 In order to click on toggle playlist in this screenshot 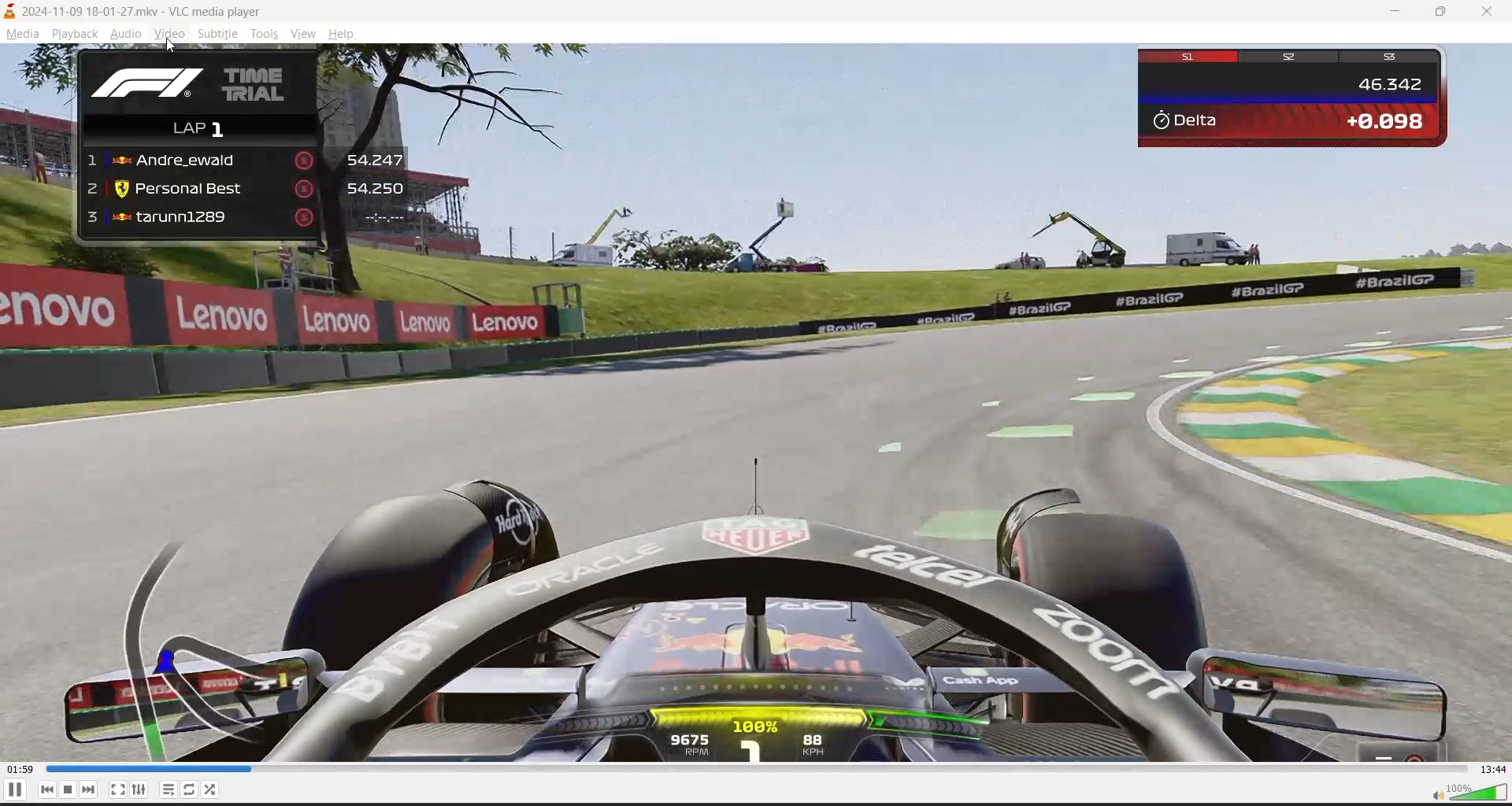, I will do `click(169, 789)`.